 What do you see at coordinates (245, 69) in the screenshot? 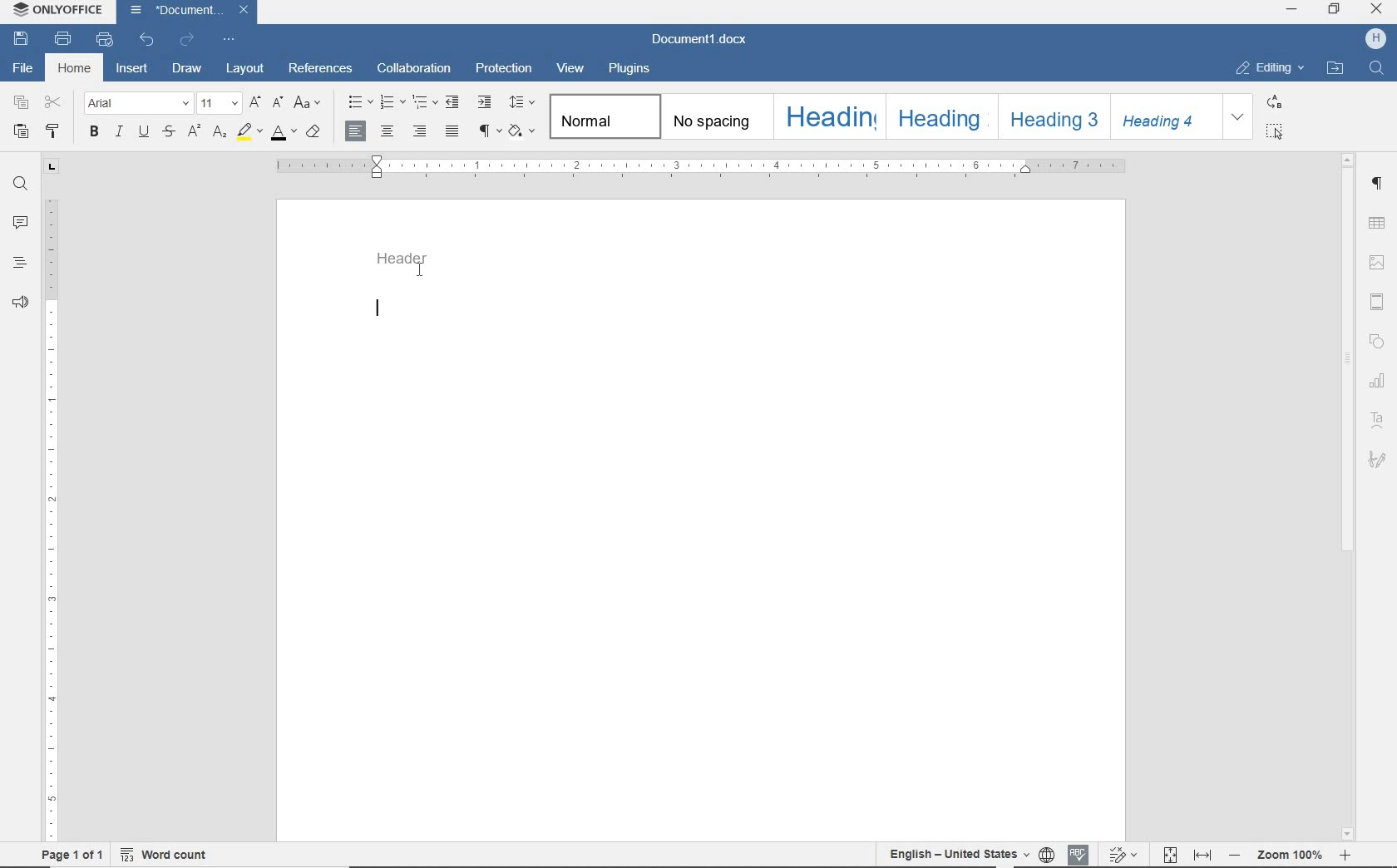
I see `layout` at bounding box center [245, 69].